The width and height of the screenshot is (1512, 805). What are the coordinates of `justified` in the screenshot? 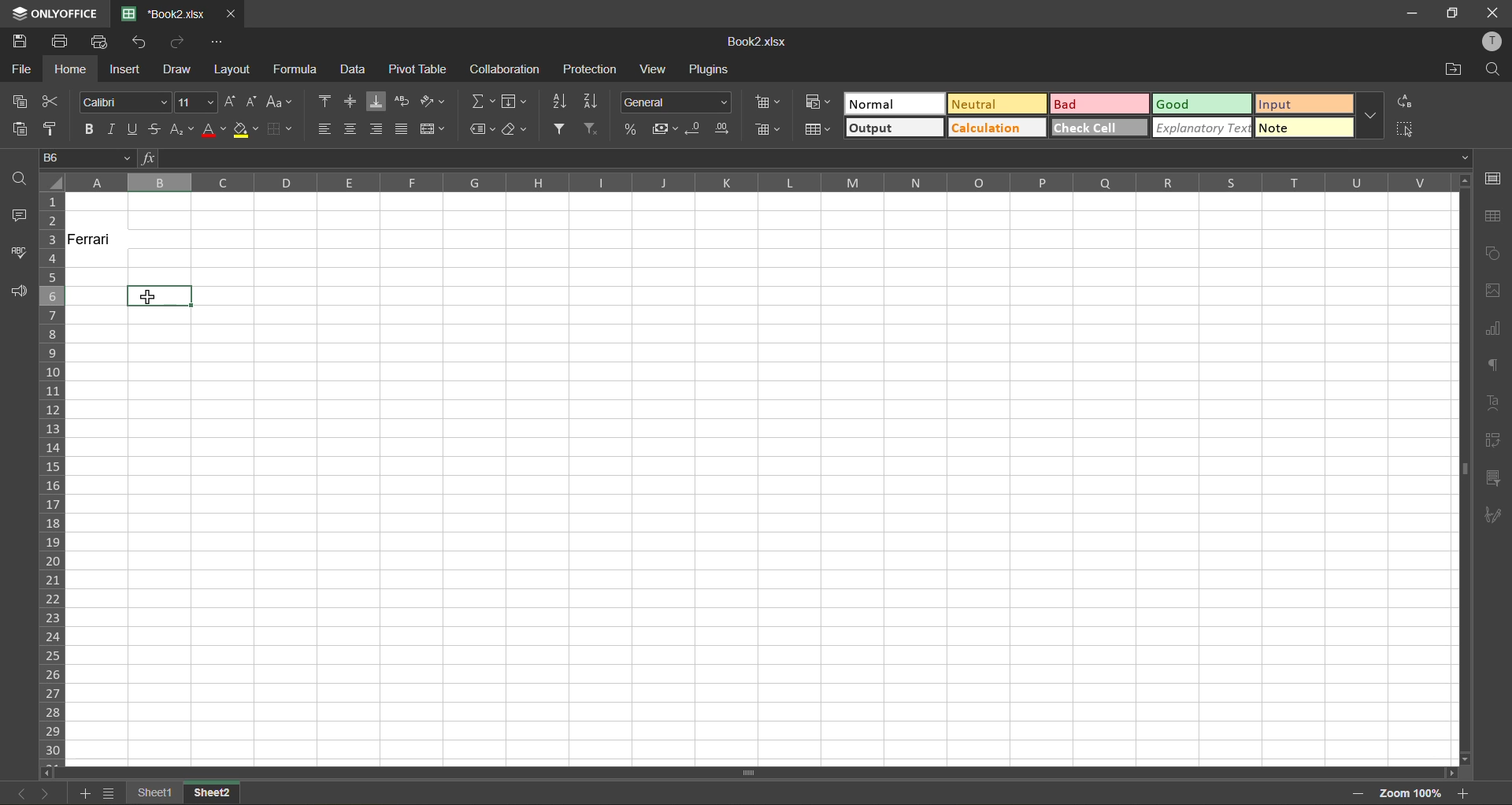 It's located at (401, 128).